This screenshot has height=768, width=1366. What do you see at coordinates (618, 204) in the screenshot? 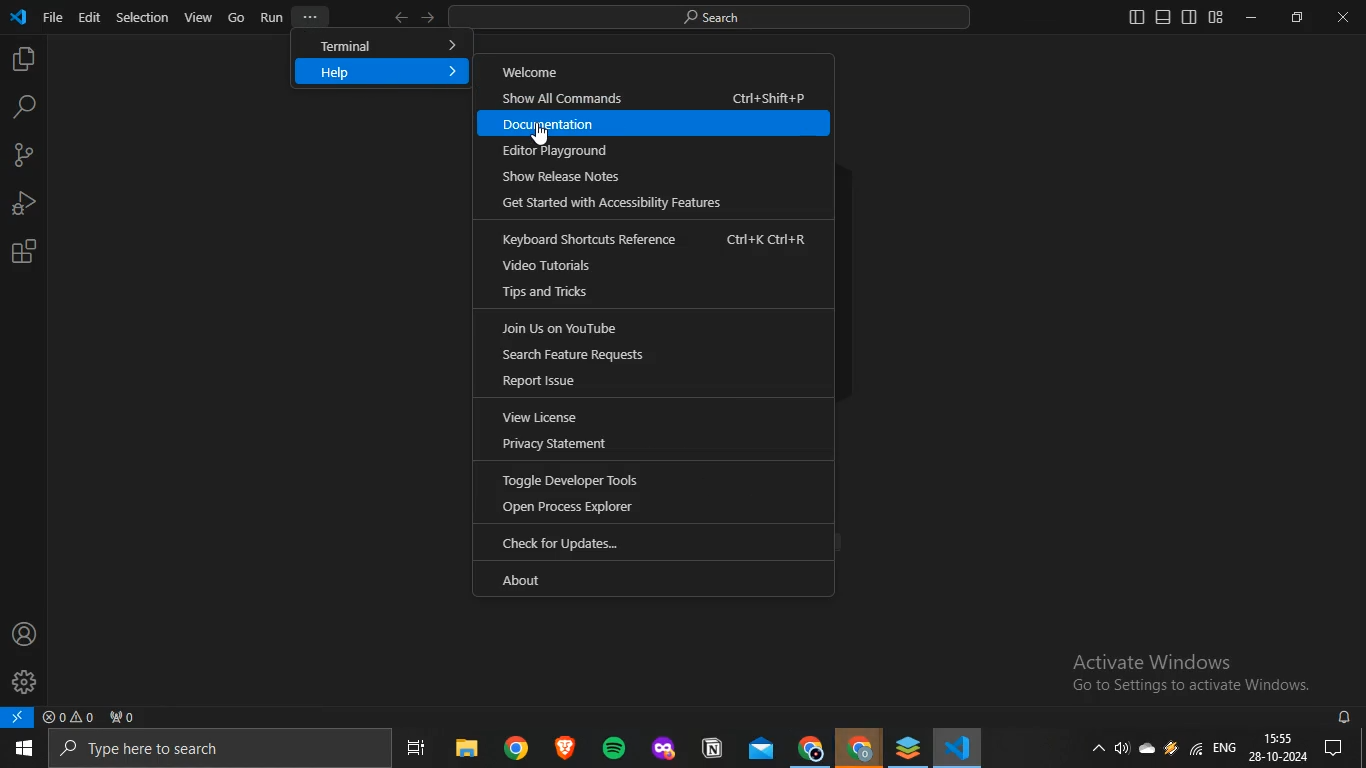
I see `Get Started with Accessibility Features` at bounding box center [618, 204].